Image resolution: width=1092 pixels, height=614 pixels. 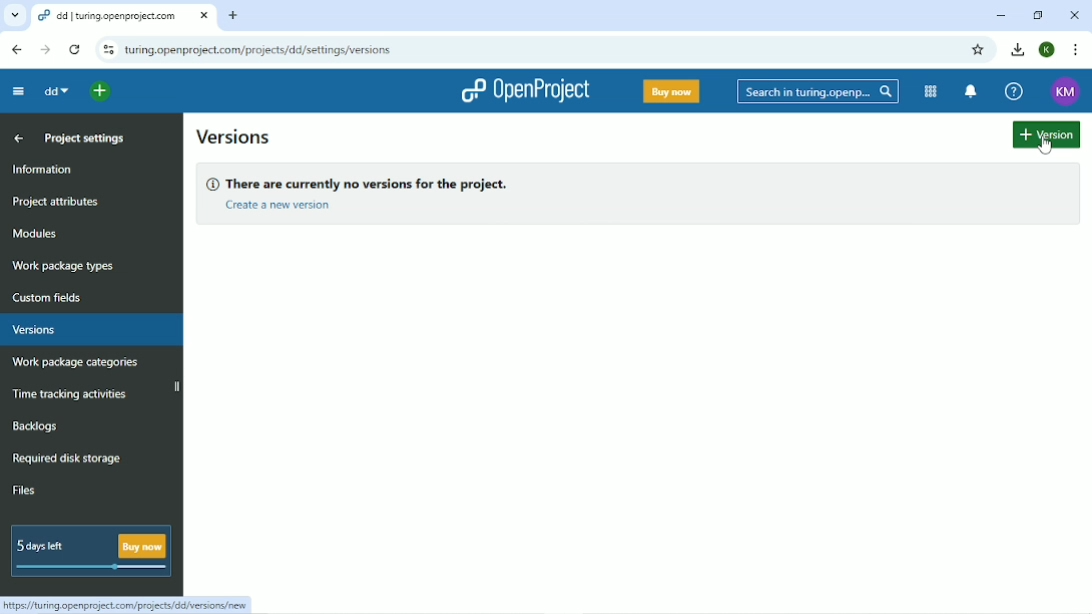 What do you see at coordinates (19, 92) in the screenshot?
I see `Collapse project menu` at bounding box center [19, 92].